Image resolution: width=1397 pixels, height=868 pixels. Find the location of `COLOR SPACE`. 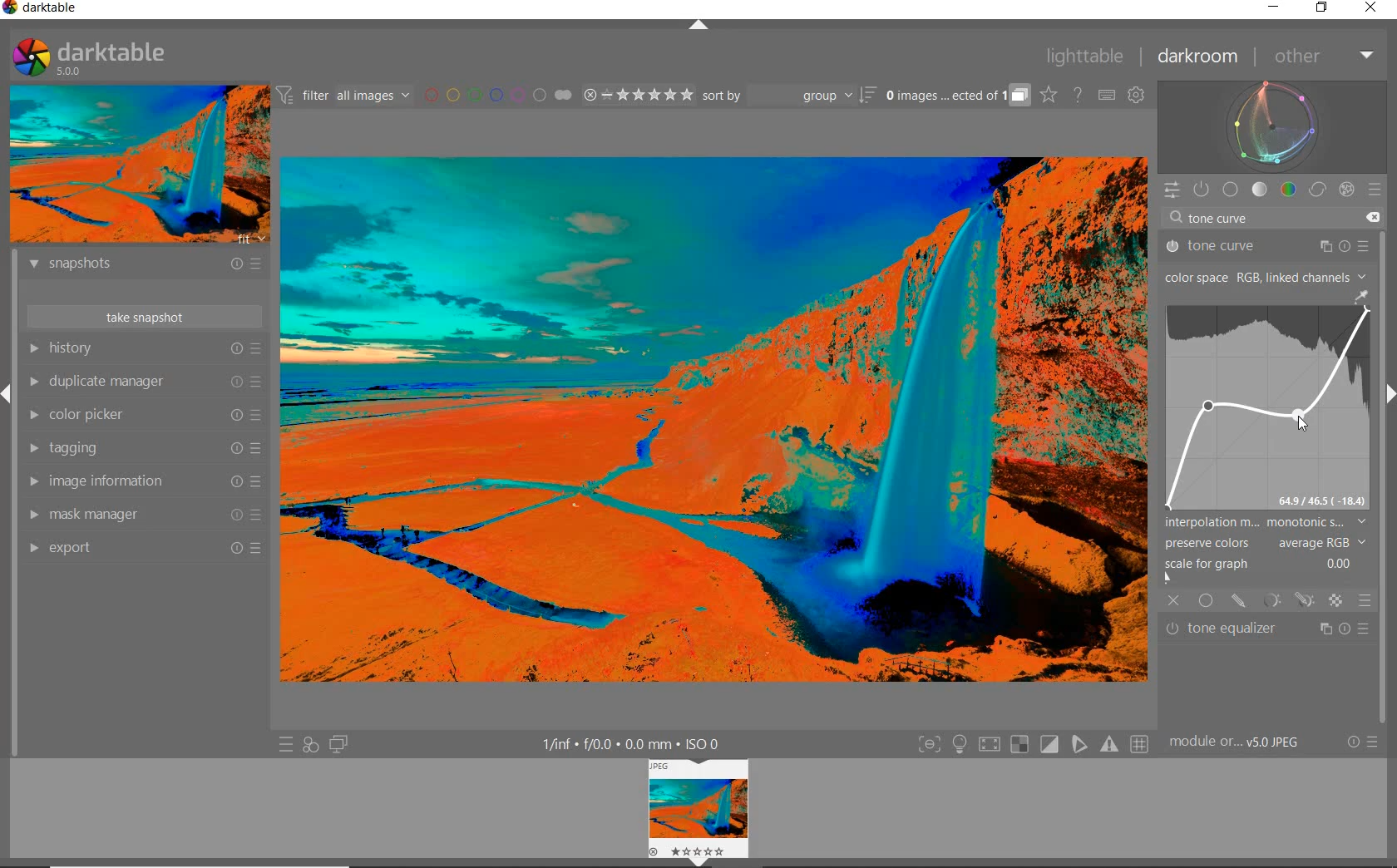

COLOR SPACE is located at coordinates (1266, 276).